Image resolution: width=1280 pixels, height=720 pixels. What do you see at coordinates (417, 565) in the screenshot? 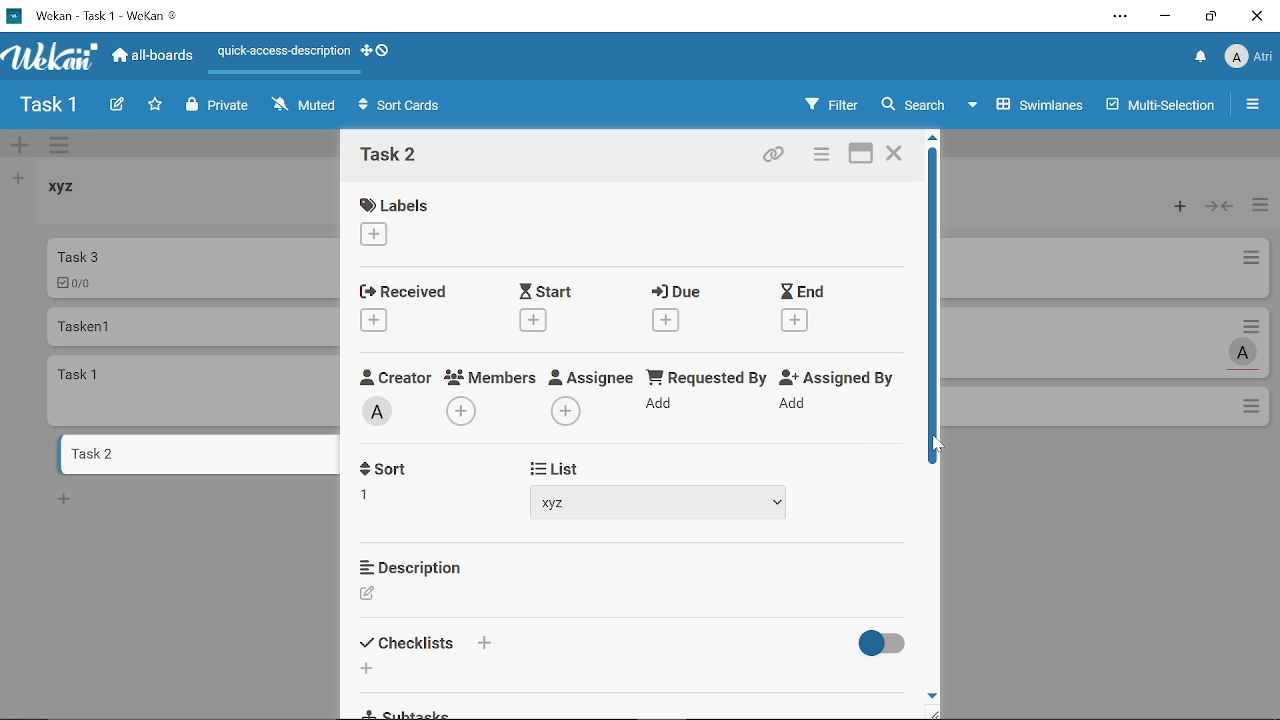
I see `Description` at bounding box center [417, 565].